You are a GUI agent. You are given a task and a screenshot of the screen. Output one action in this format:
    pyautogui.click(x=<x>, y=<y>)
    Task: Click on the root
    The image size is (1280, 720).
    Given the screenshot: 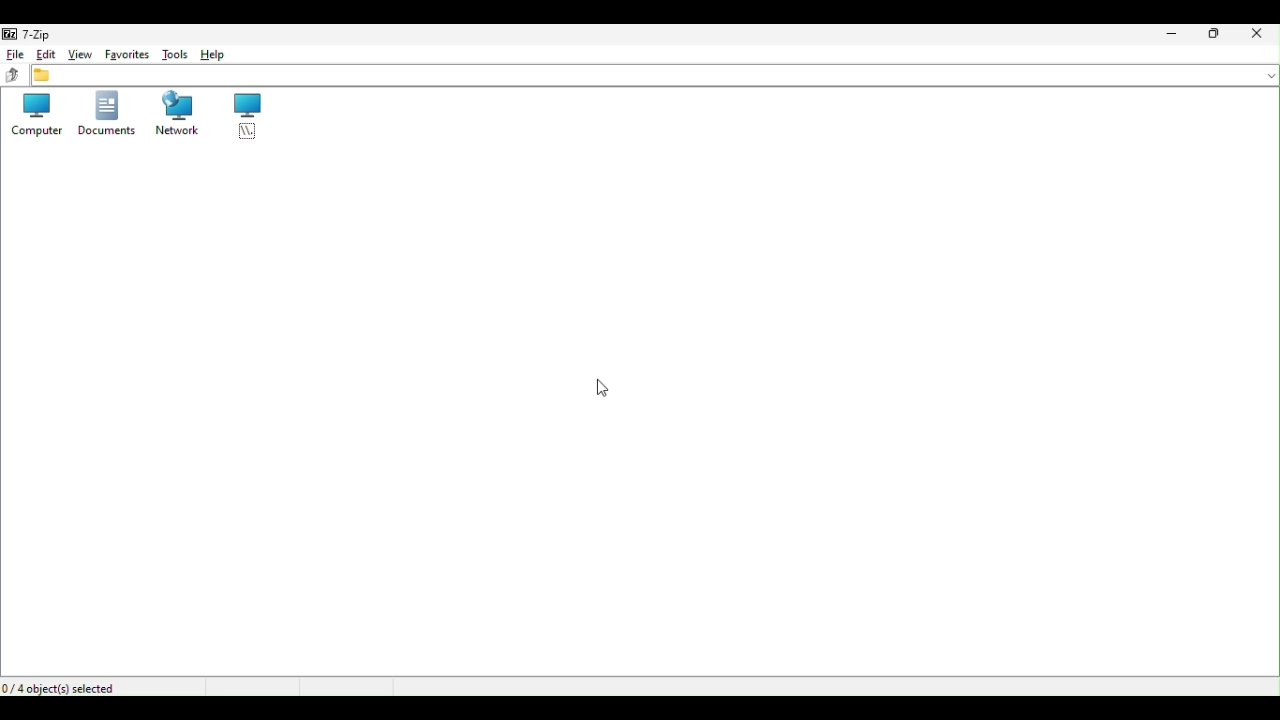 What is the action you would take?
    pyautogui.click(x=243, y=116)
    